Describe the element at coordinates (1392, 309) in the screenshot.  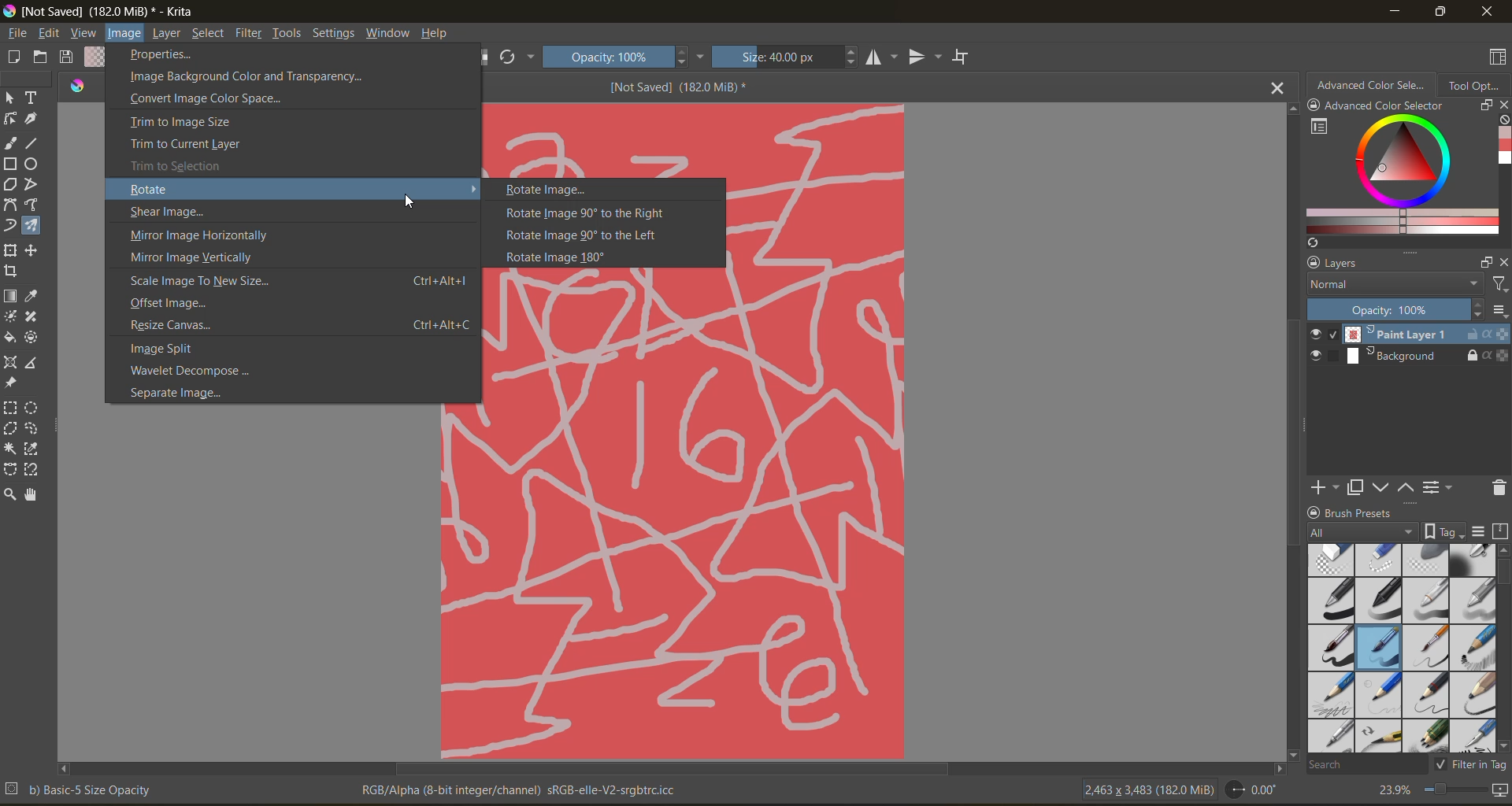
I see `opacity` at that location.